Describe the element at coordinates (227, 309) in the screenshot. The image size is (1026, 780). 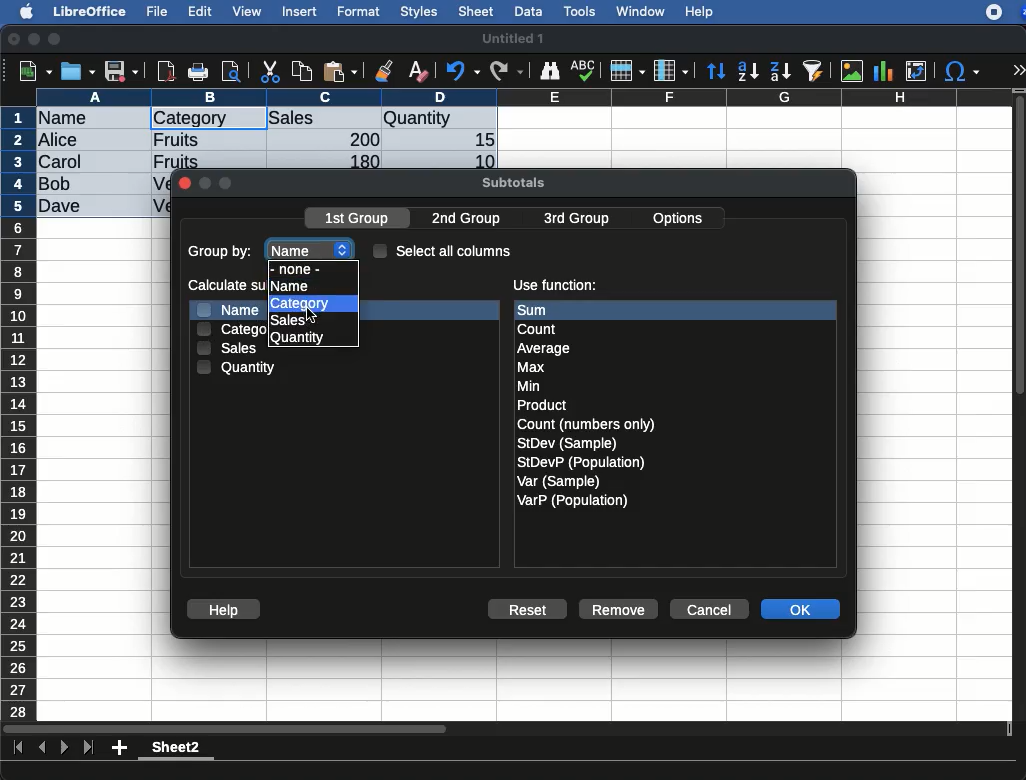
I see `name` at that location.